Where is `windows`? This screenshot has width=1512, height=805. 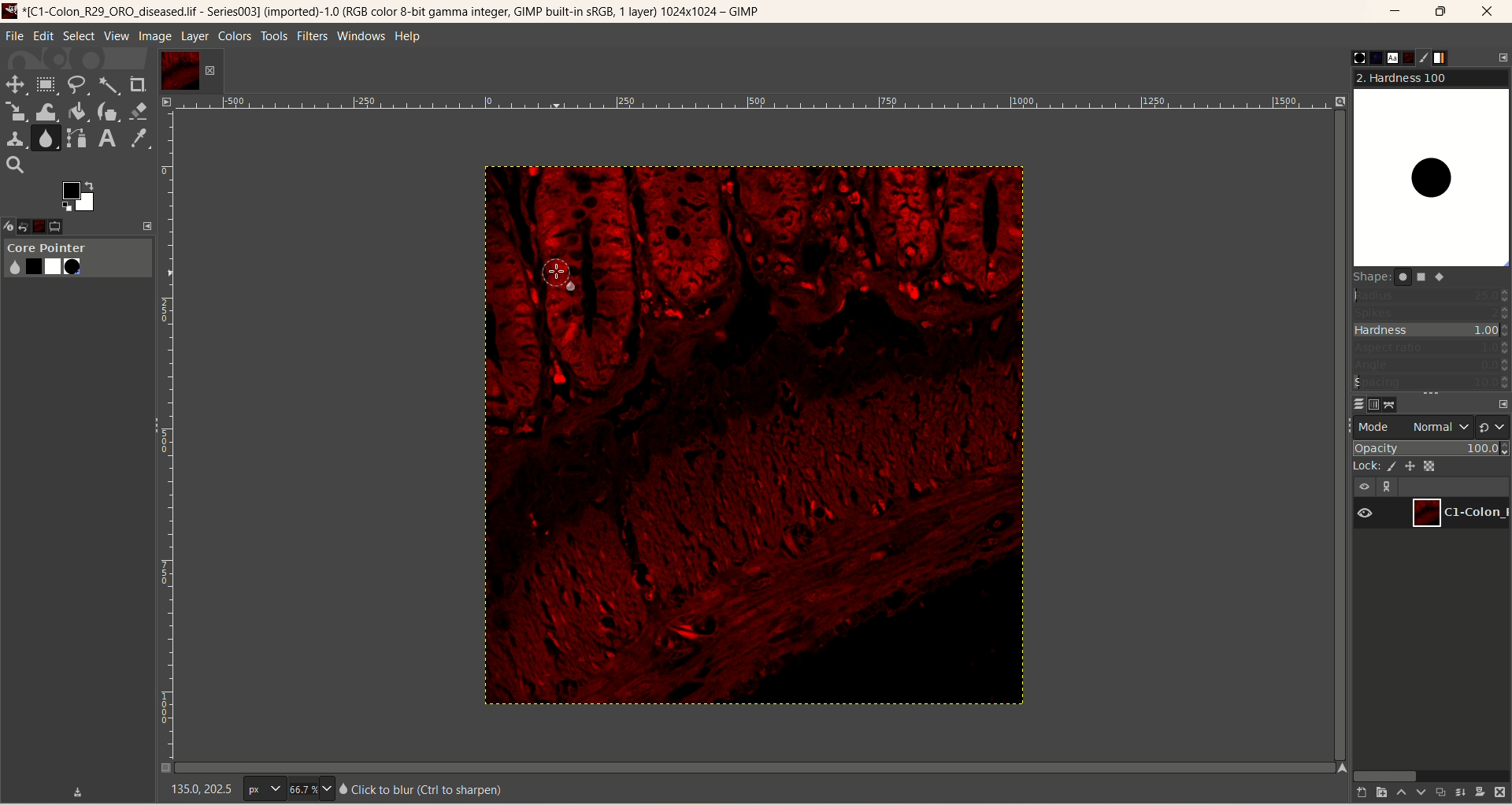
windows is located at coordinates (364, 35).